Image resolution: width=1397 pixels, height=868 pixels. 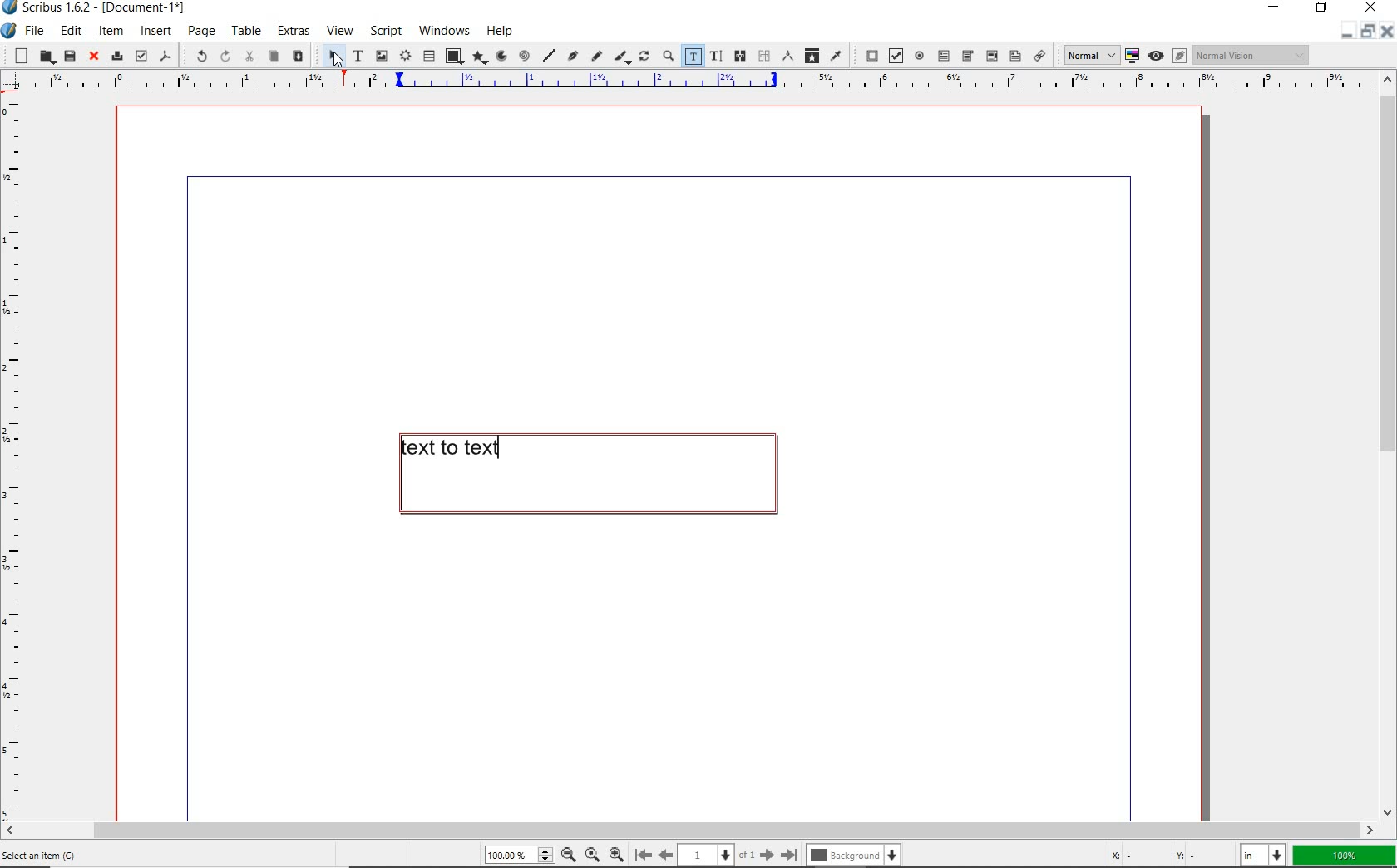 What do you see at coordinates (766, 855) in the screenshot?
I see `Next page` at bounding box center [766, 855].